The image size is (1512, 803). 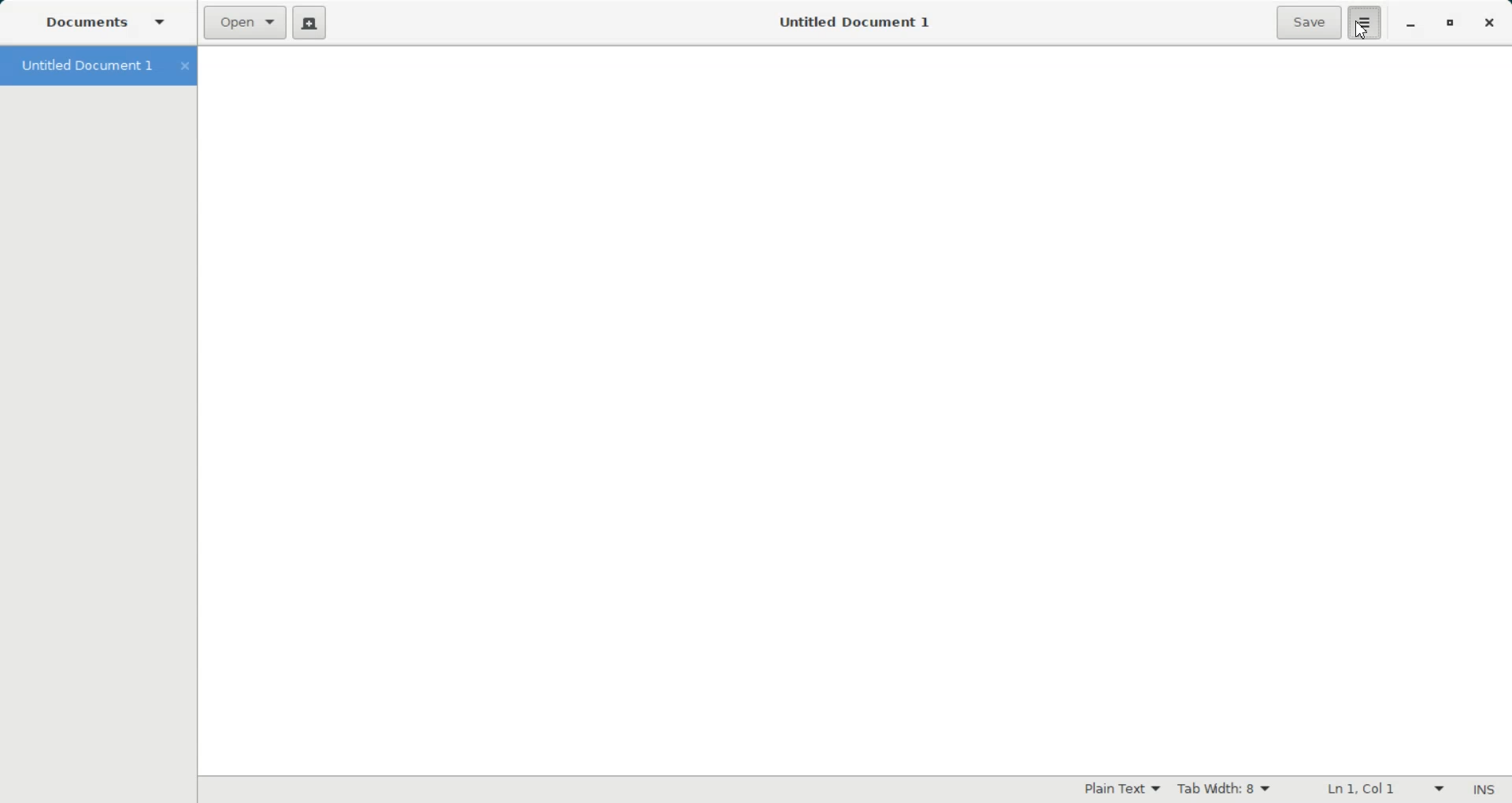 What do you see at coordinates (858, 22) in the screenshot?
I see `Untitled Document 1` at bounding box center [858, 22].